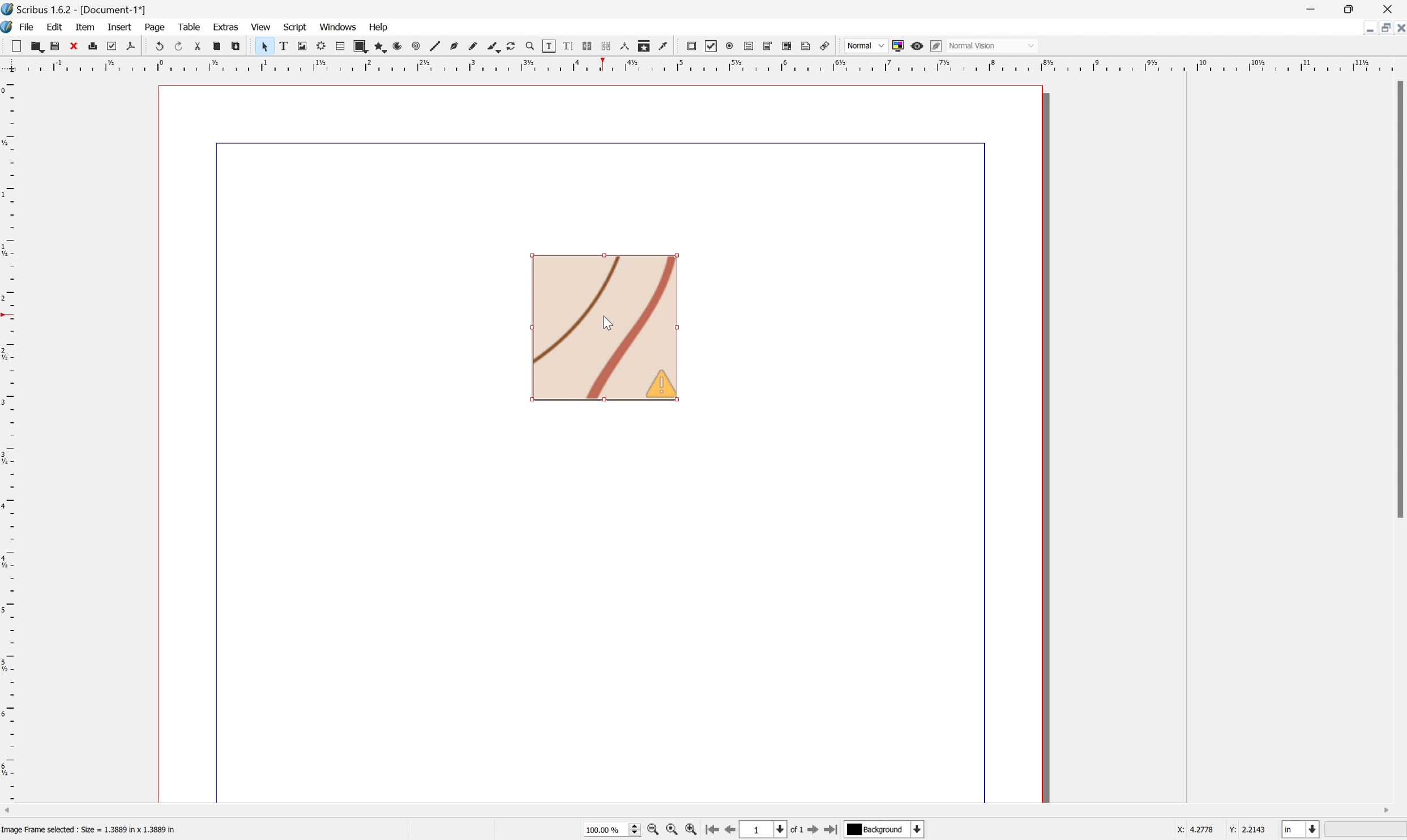 This screenshot has height=840, width=1407. Describe the element at coordinates (693, 832) in the screenshot. I see `Zoom In` at that location.